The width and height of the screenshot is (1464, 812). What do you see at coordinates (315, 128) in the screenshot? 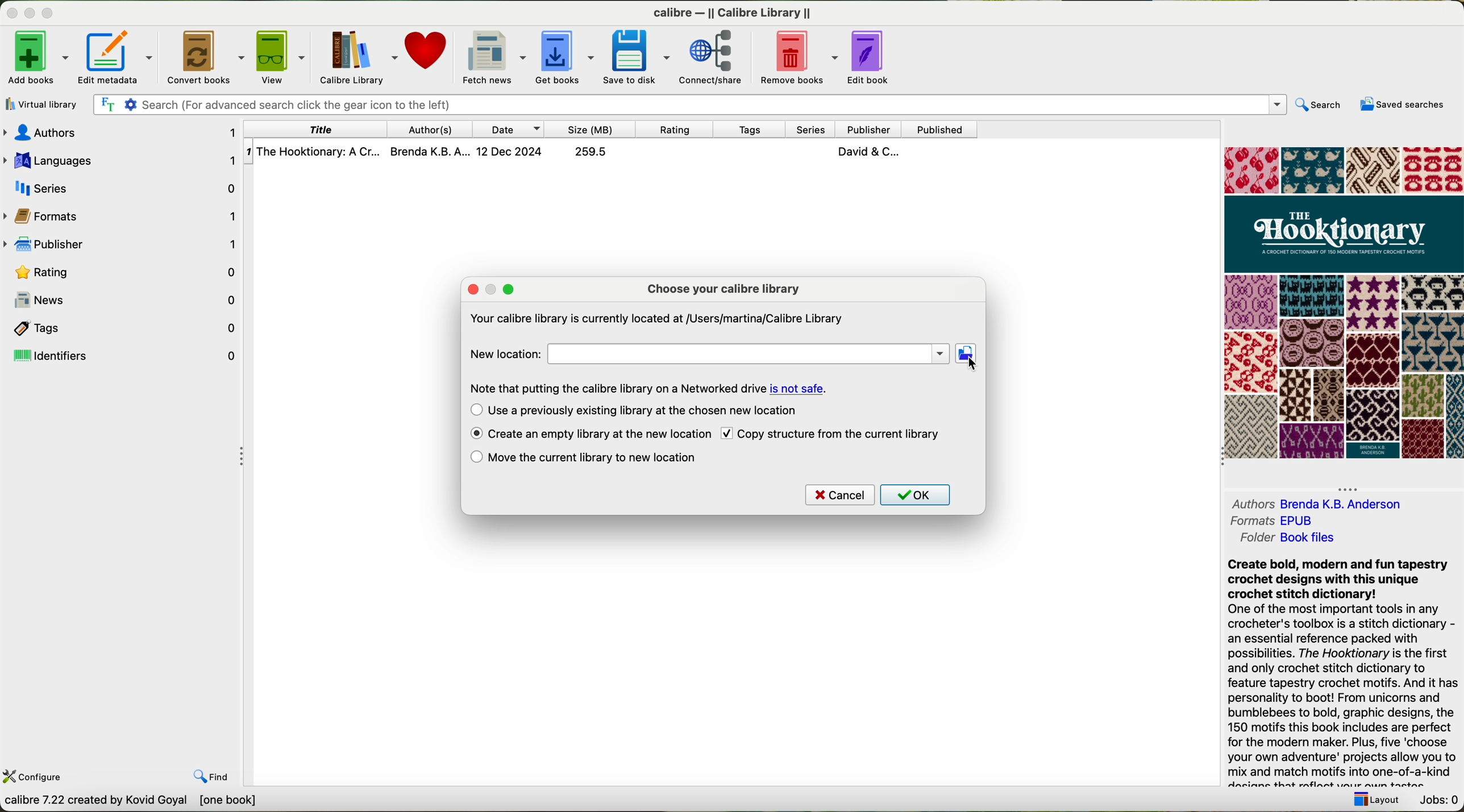
I see `title` at bounding box center [315, 128].